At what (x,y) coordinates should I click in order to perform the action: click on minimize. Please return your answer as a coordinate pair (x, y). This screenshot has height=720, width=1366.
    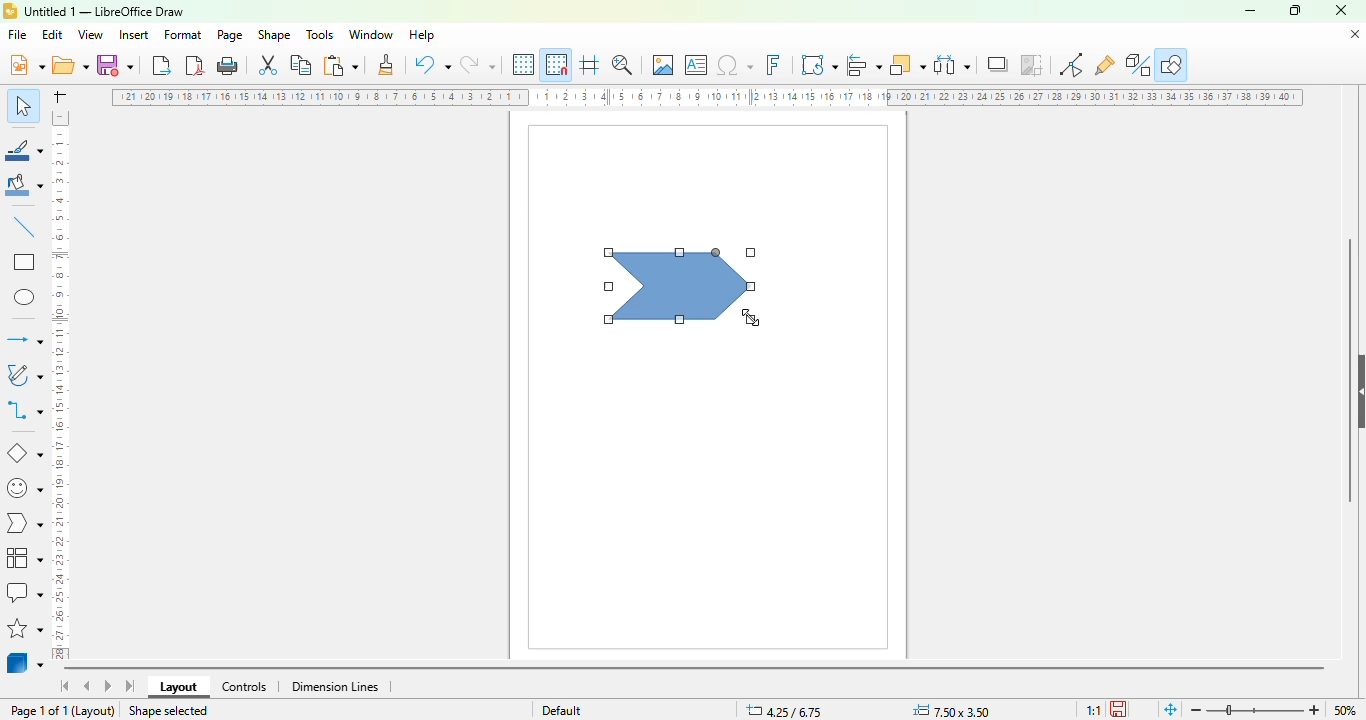
    Looking at the image, I should click on (1250, 12).